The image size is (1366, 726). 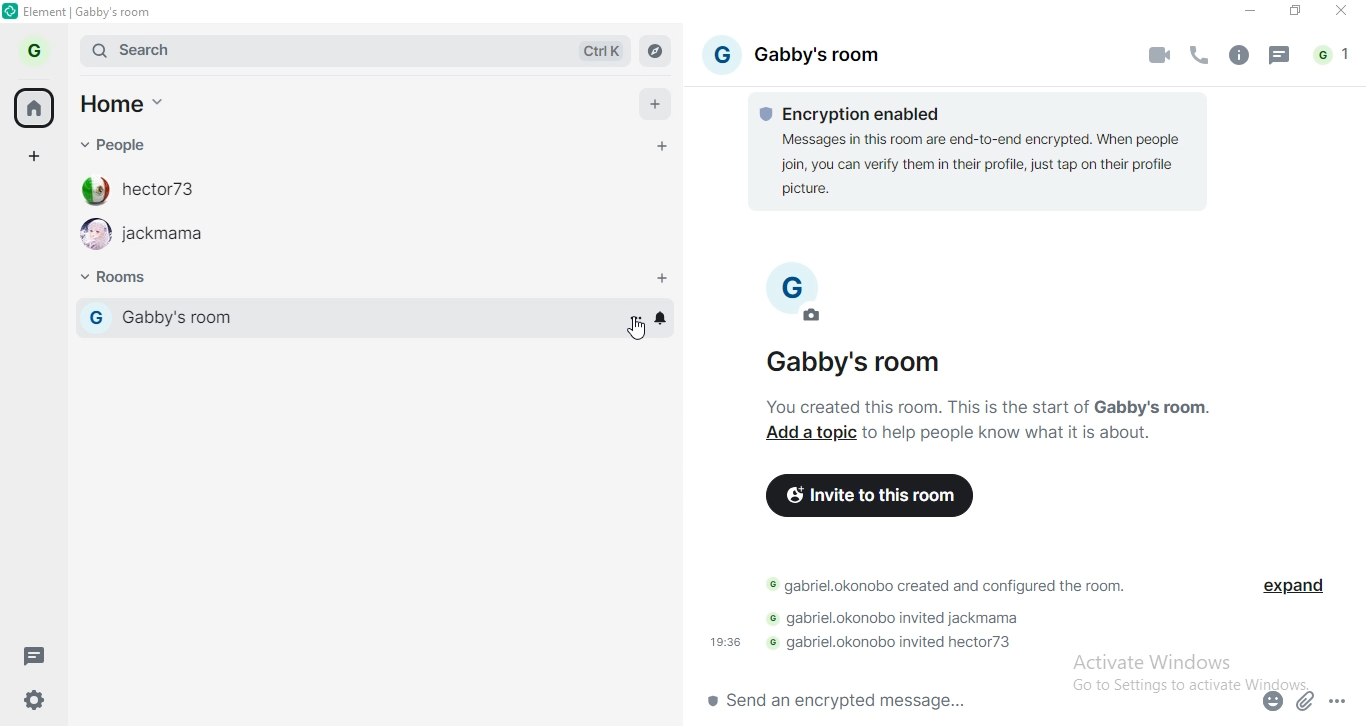 I want to click on minimise, so click(x=1244, y=11).